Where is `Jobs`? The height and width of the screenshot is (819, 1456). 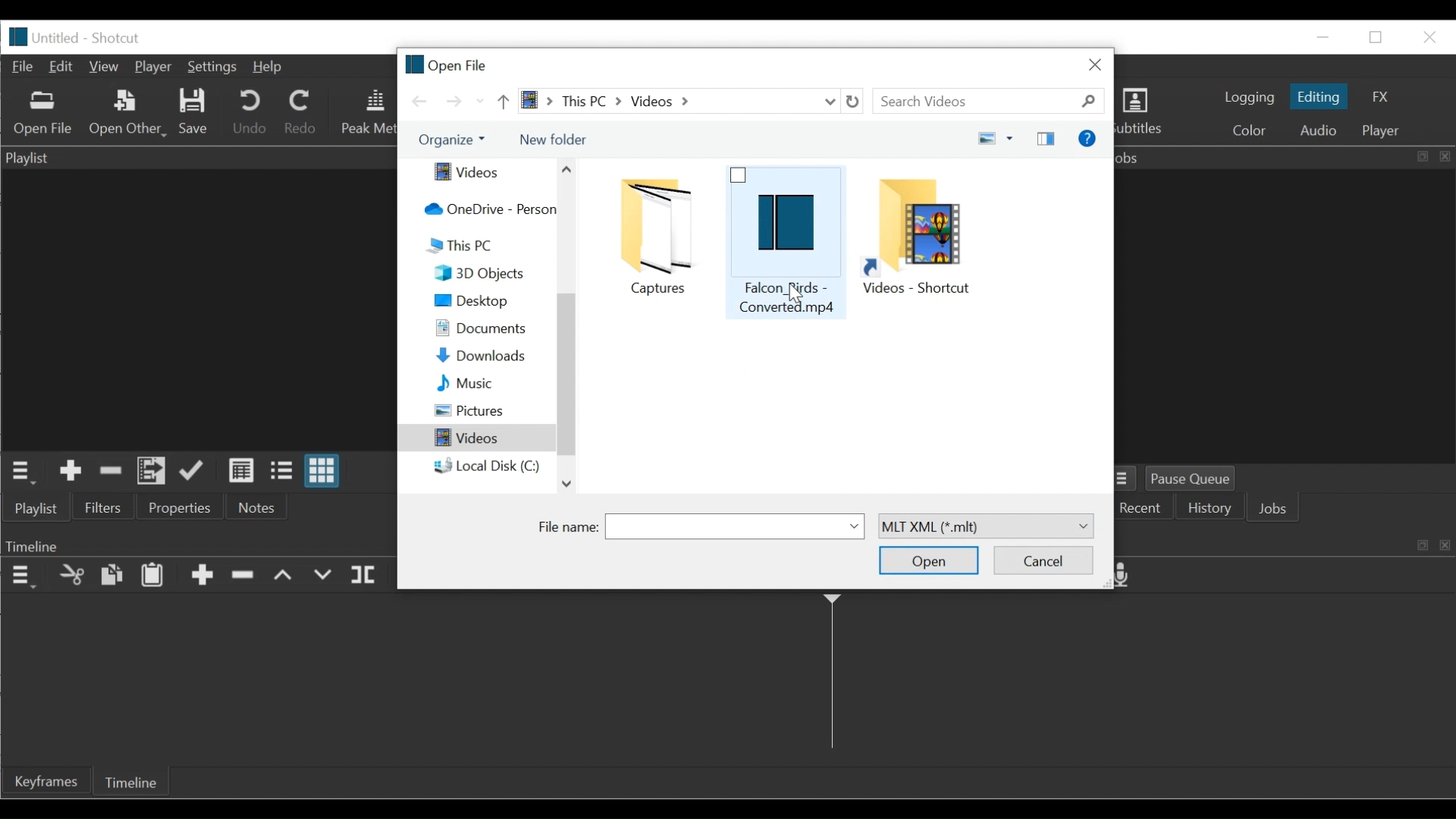
Jobs is located at coordinates (1277, 510).